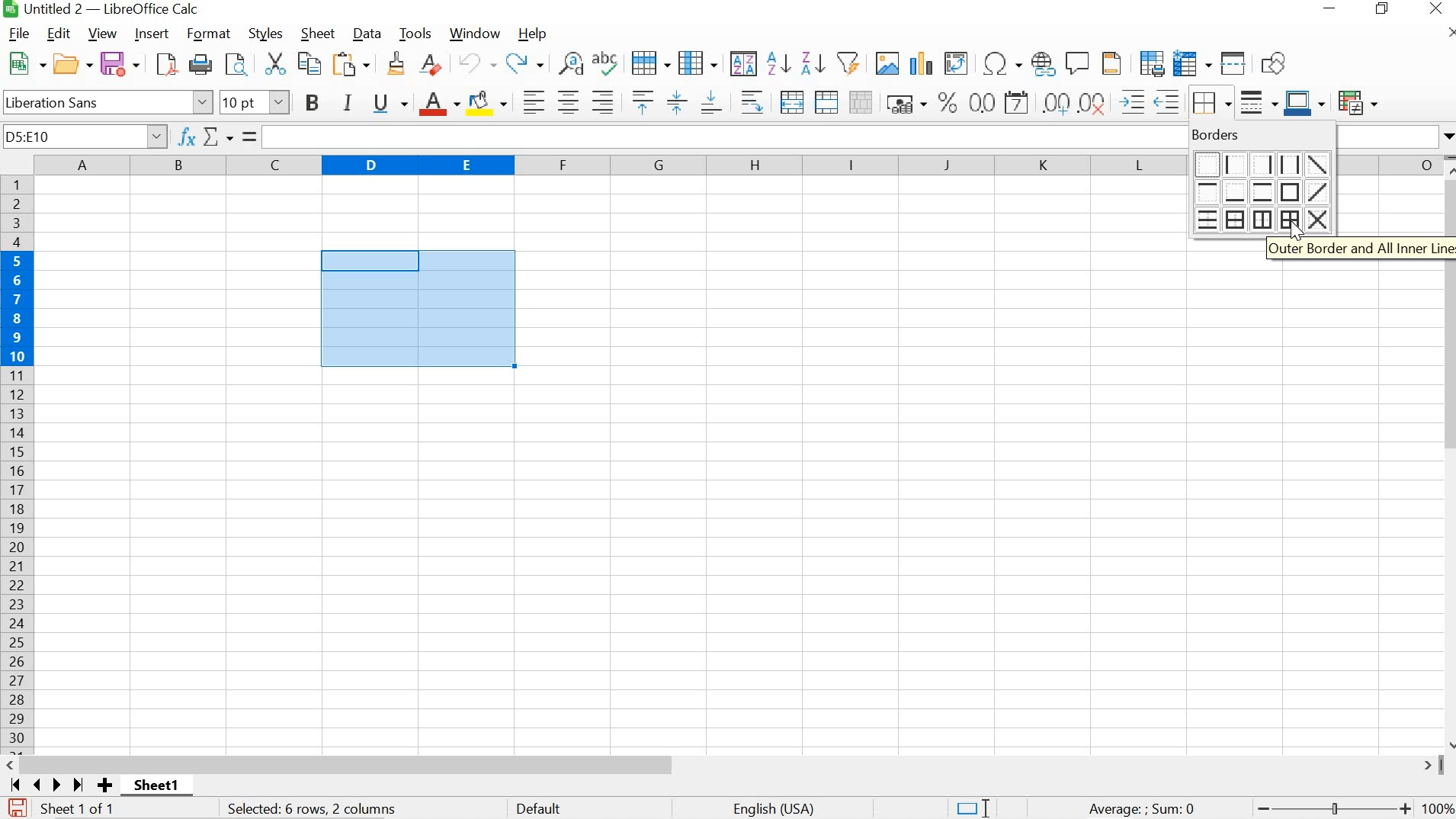  Describe the element at coordinates (25, 62) in the screenshot. I see `NEW` at that location.